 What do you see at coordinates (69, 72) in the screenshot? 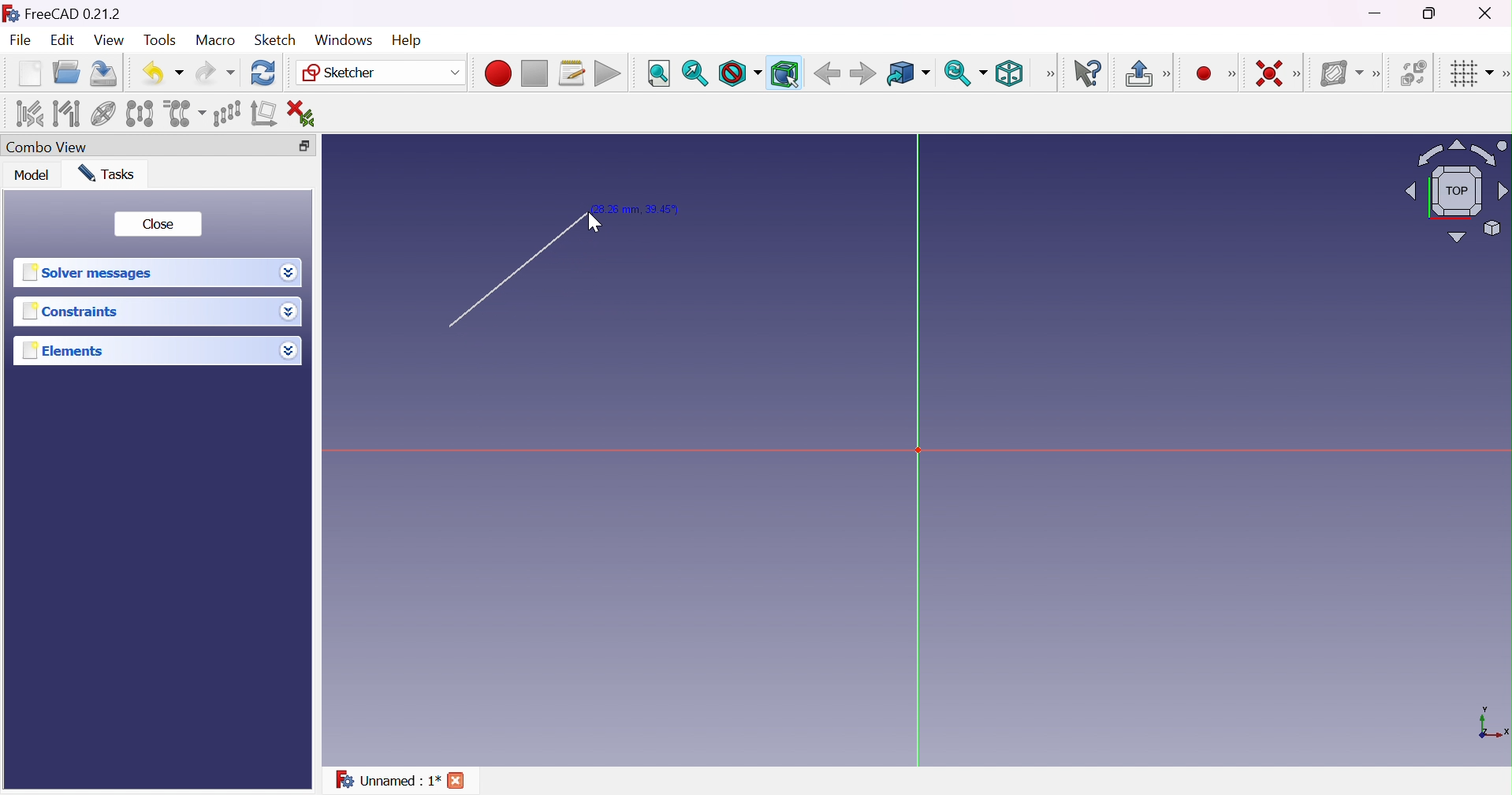
I see `Open` at bounding box center [69, 72].